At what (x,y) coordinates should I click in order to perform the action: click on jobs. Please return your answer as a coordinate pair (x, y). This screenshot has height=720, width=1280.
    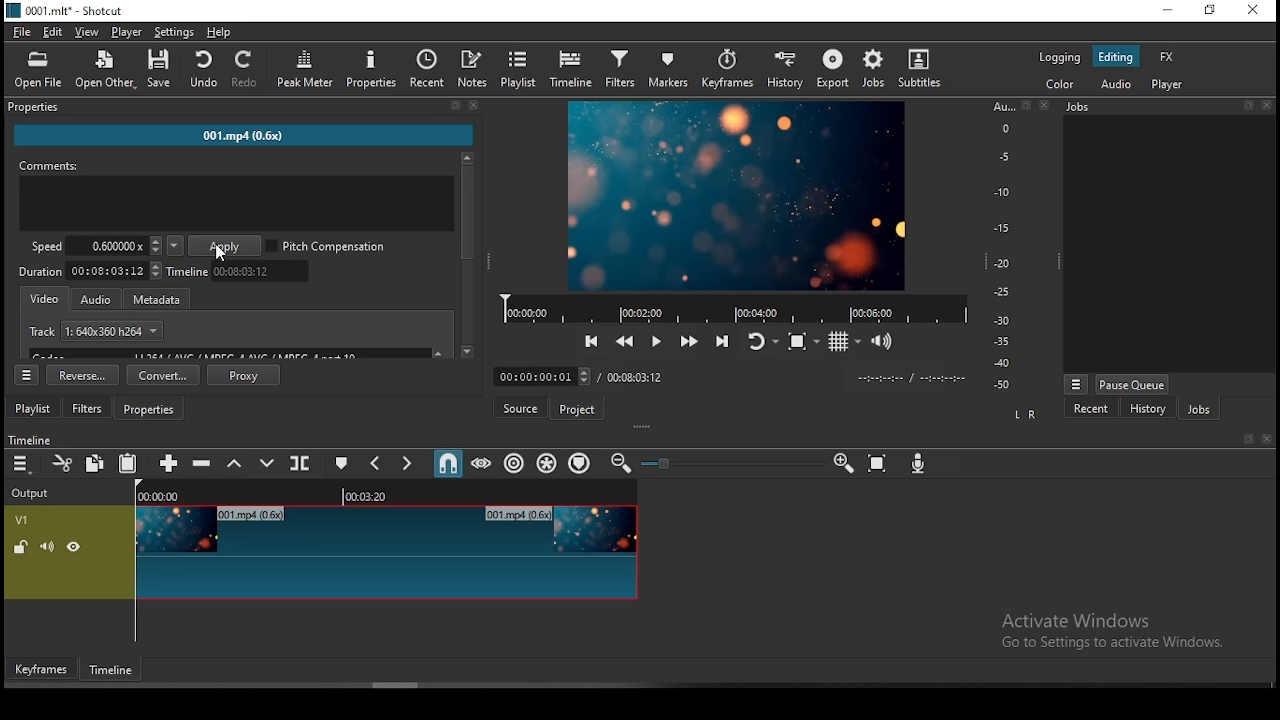
    Looking at the image, I should click on (1197, 408).